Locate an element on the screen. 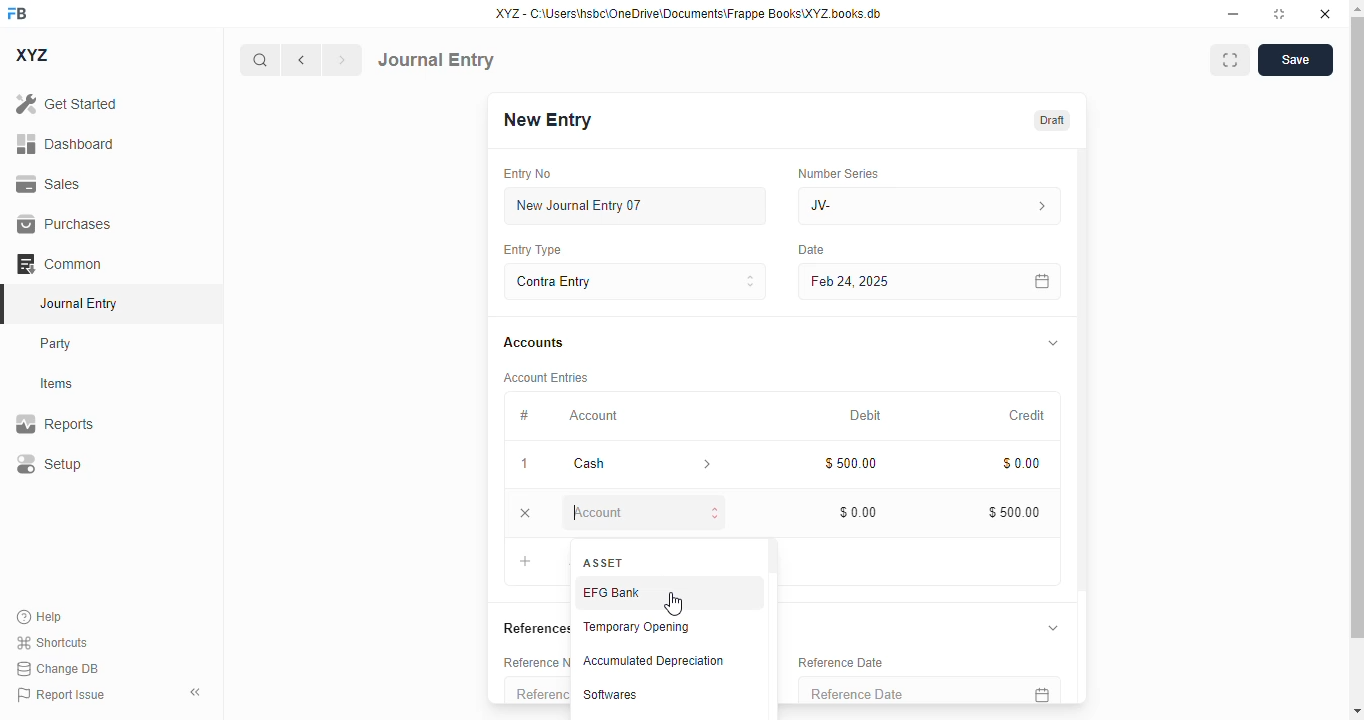 This screenshot has width=1364, height=720. search is located at coordinates (259, 60).